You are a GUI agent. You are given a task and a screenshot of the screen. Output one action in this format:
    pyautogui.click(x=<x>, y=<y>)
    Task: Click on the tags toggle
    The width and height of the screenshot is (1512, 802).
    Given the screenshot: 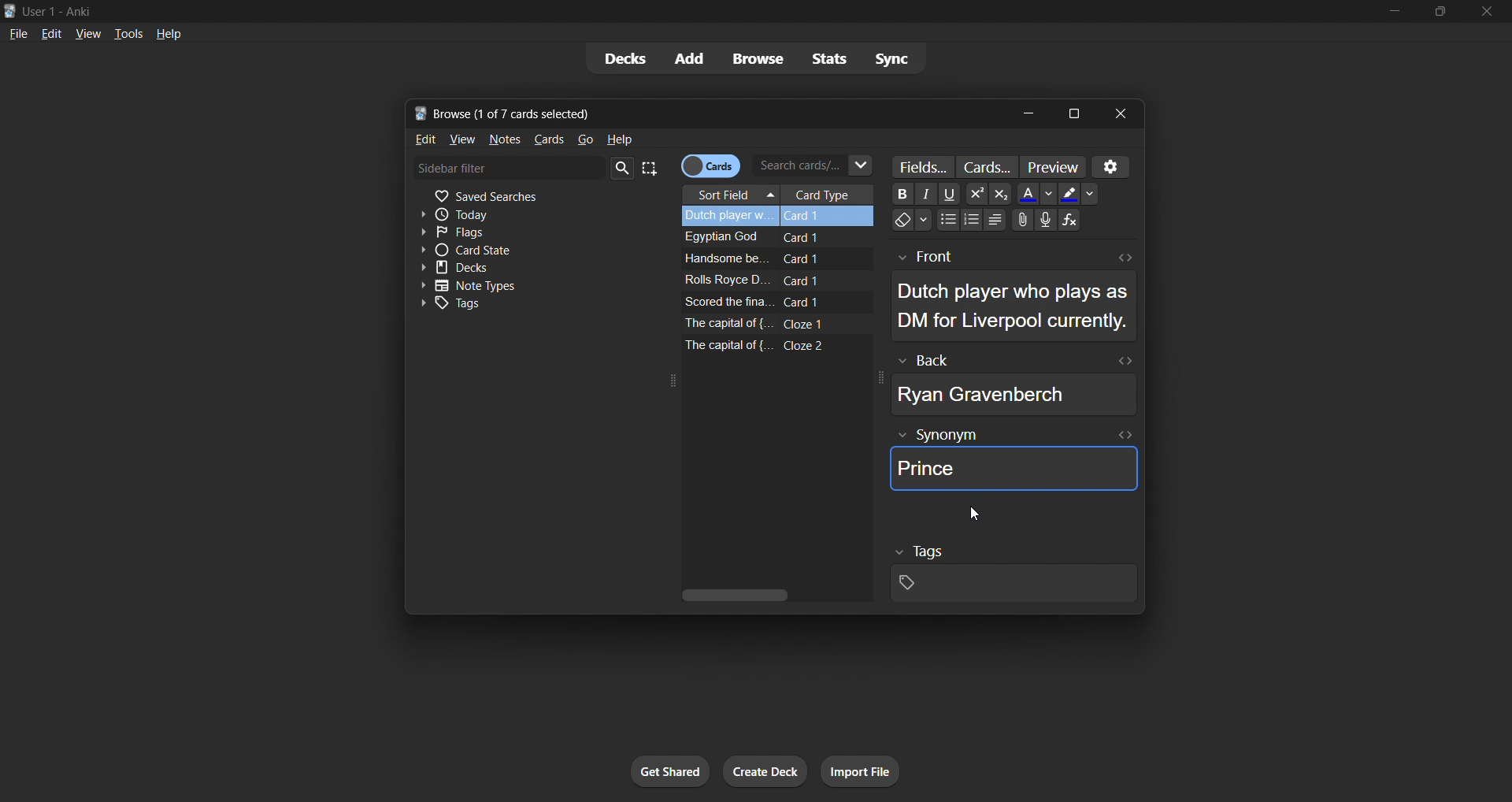 What is the action you would take?
    pyautogui.click(x=506, y=306)
    